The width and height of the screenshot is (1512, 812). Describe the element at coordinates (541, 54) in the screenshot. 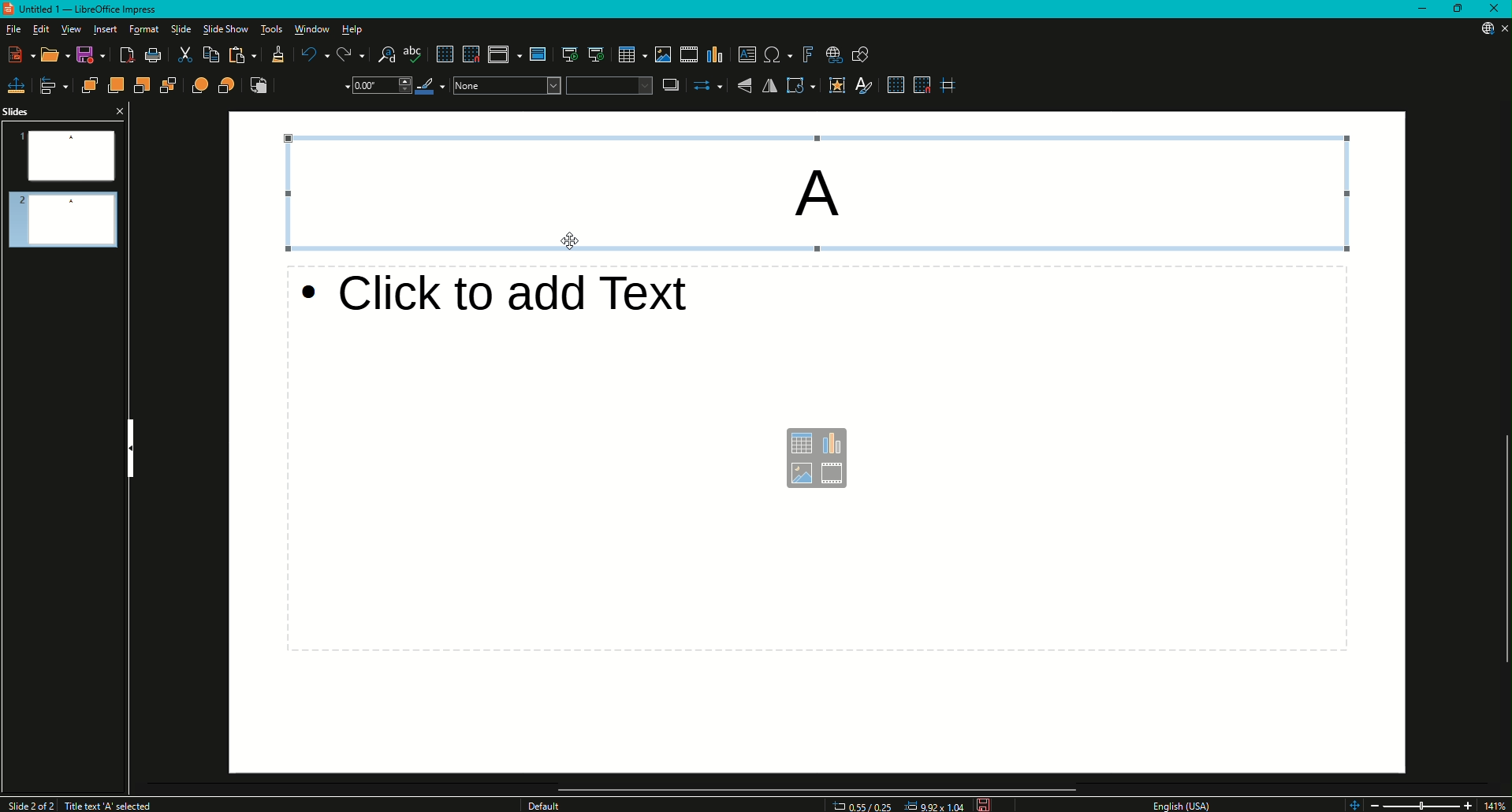

I see `Master slide` at that location.